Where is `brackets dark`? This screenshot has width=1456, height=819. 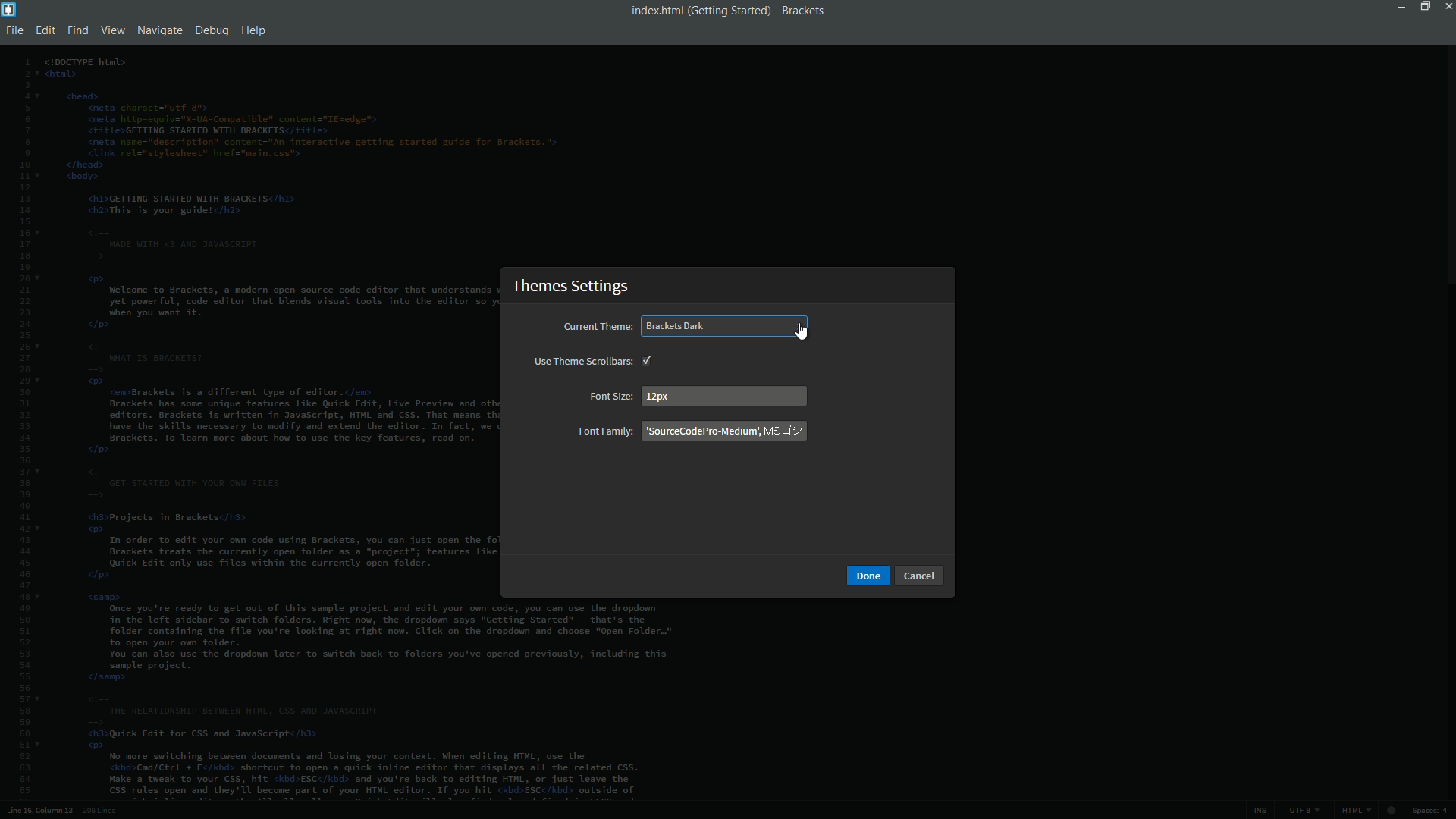 brackets dark is located at coordinates (676, 327).